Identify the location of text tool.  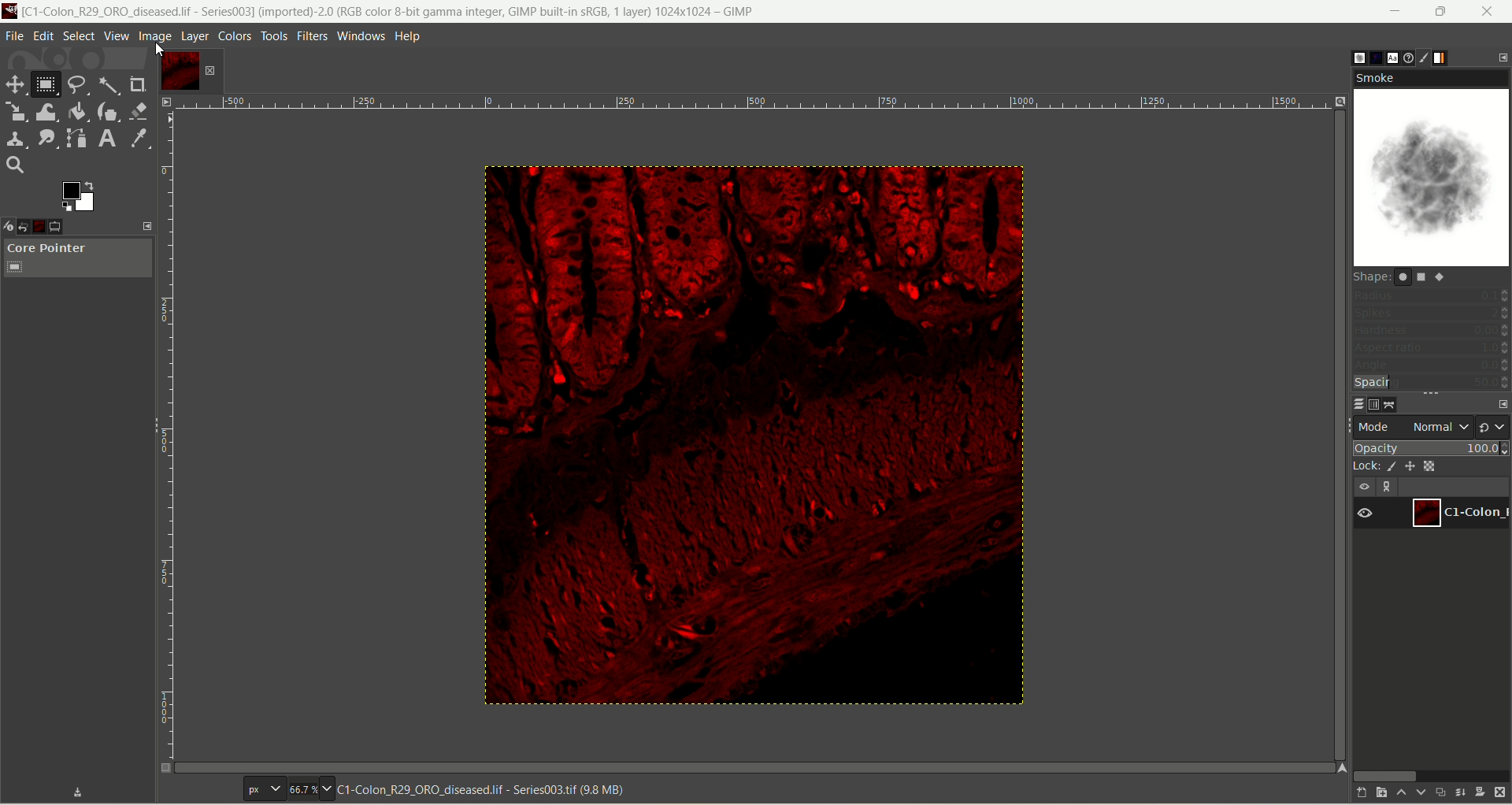
(107, 139).